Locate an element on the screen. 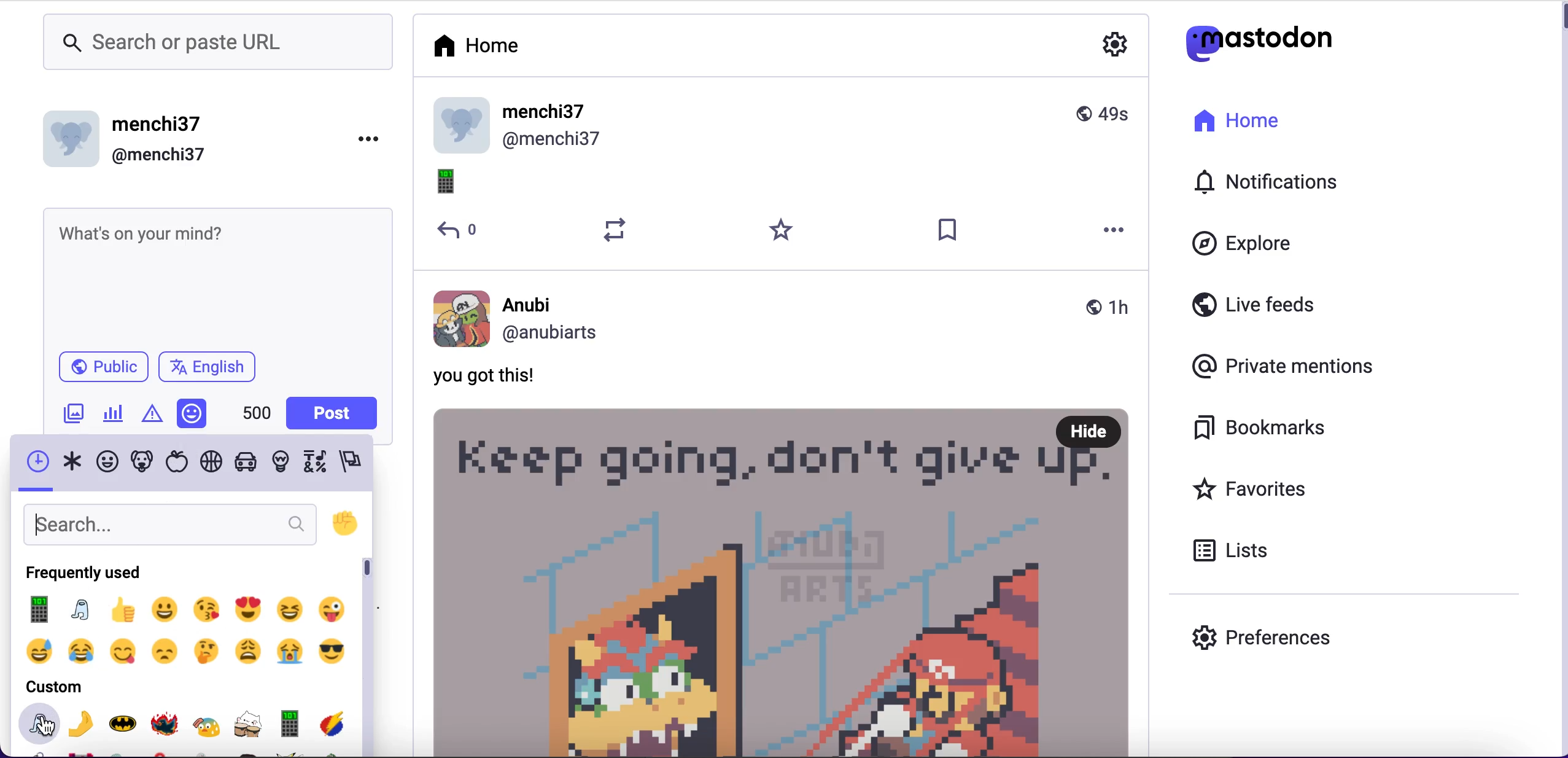 This screenshot has height=758, width=1568. emoji is located at coordinates (345, 525).